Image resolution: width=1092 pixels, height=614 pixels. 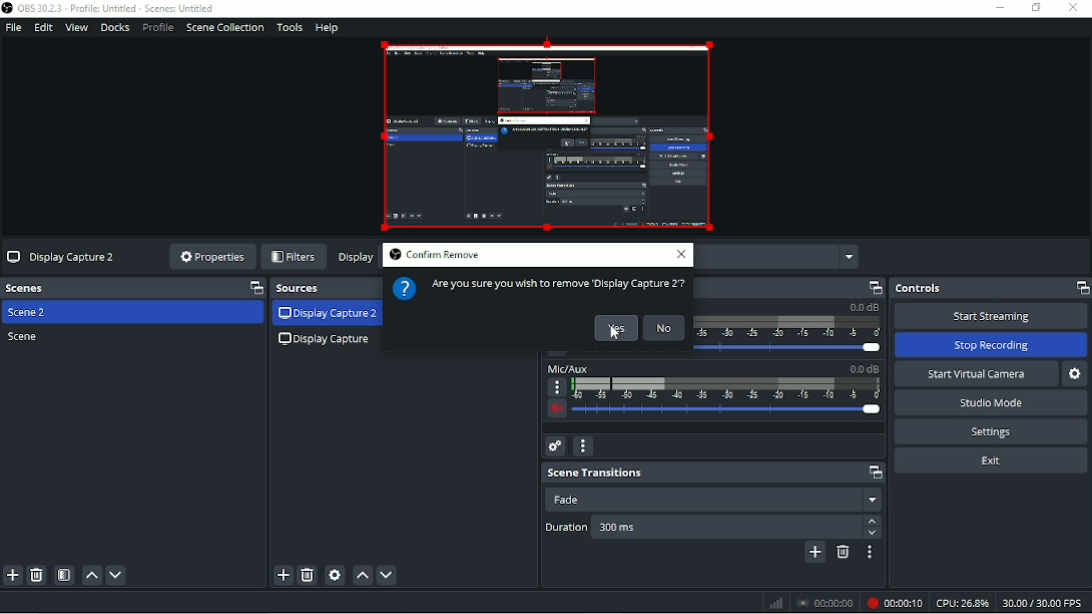 What do you see at coordinates (843, 553) in the screenshot?
I see `Remove configurable transition` at bounding box center [843, 553].